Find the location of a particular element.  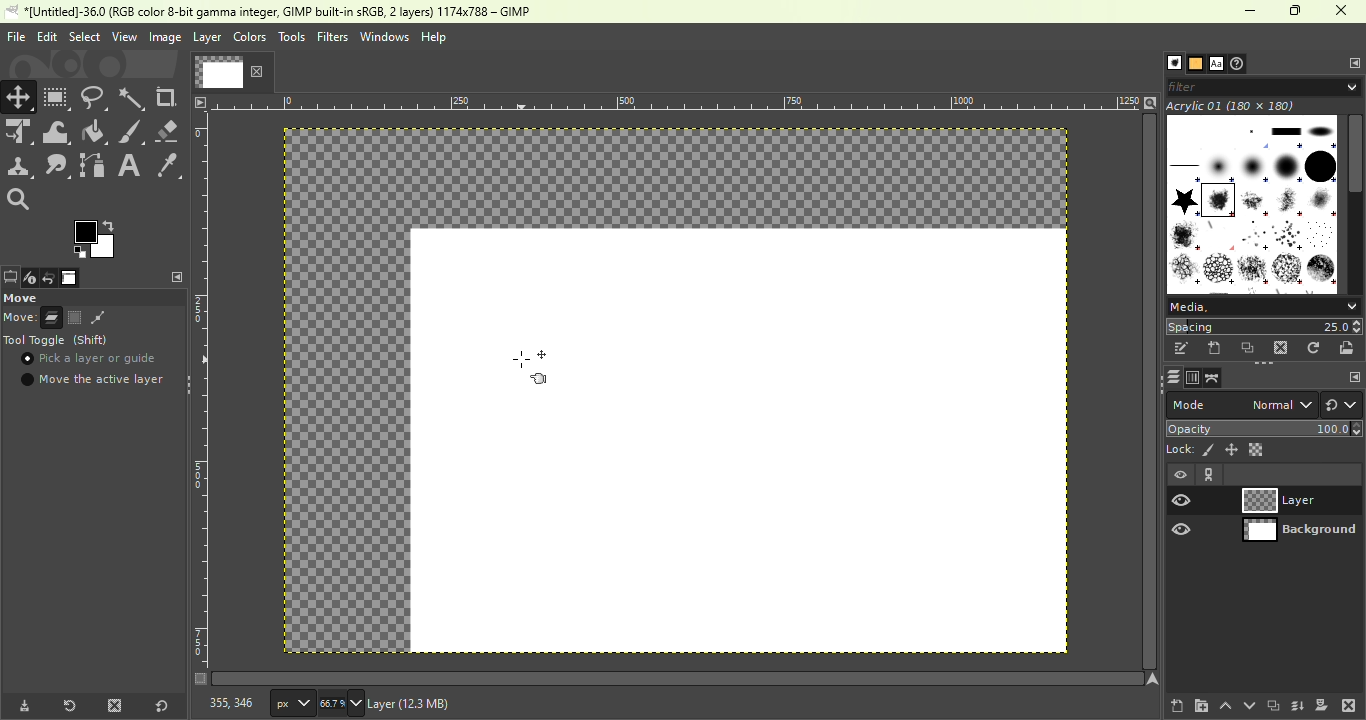

canvas is located at coordinates (739, 441).